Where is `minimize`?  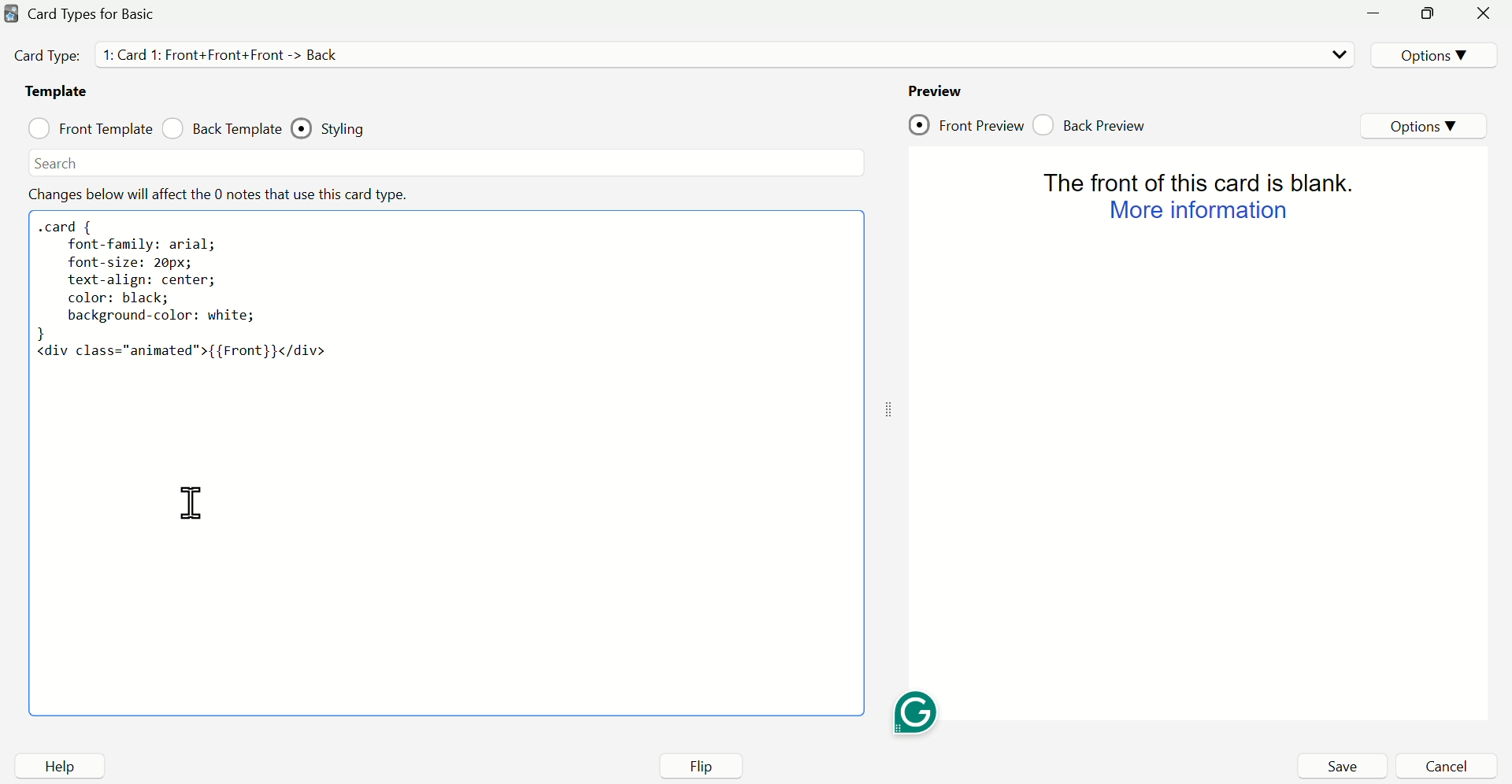
minimize is located at coordinates (1428, 15).